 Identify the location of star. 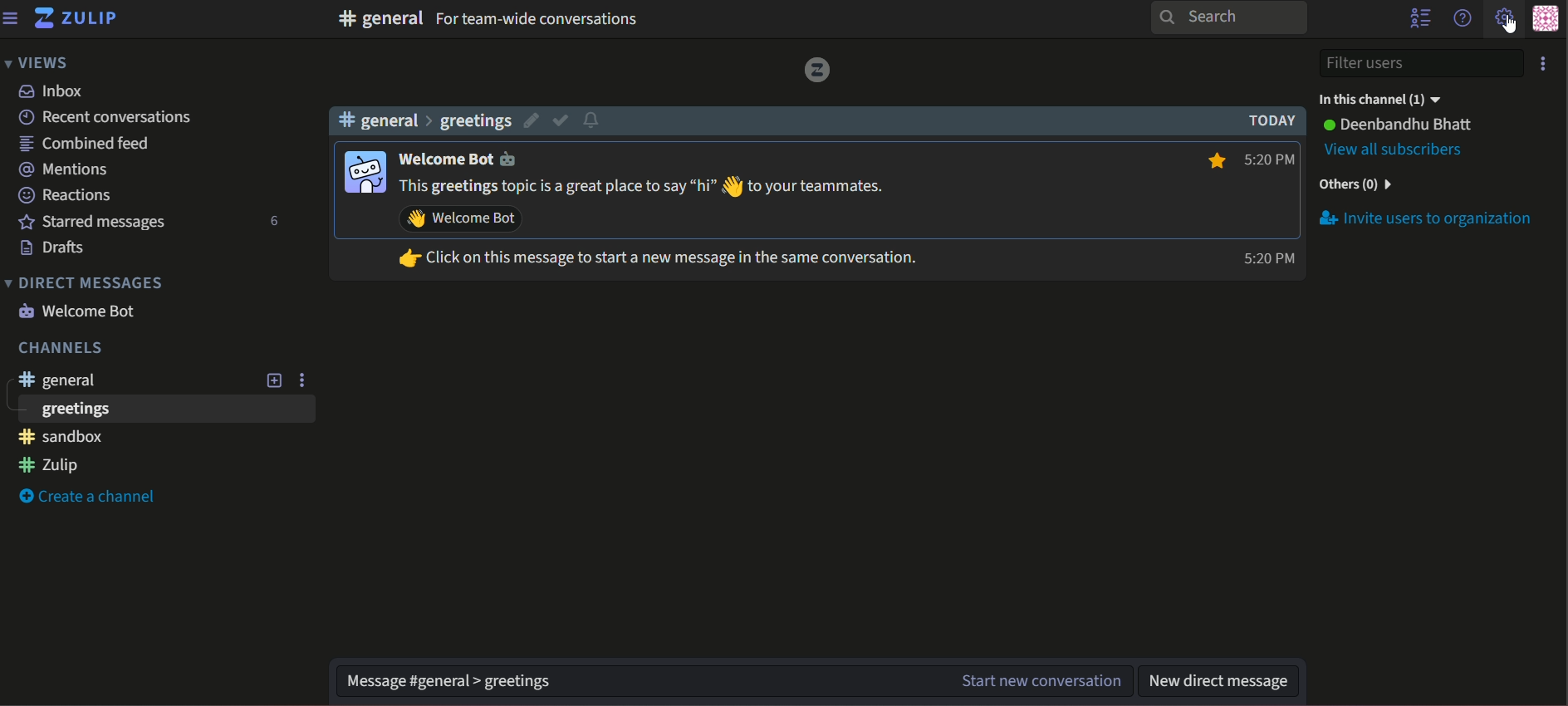
(1213, 159).